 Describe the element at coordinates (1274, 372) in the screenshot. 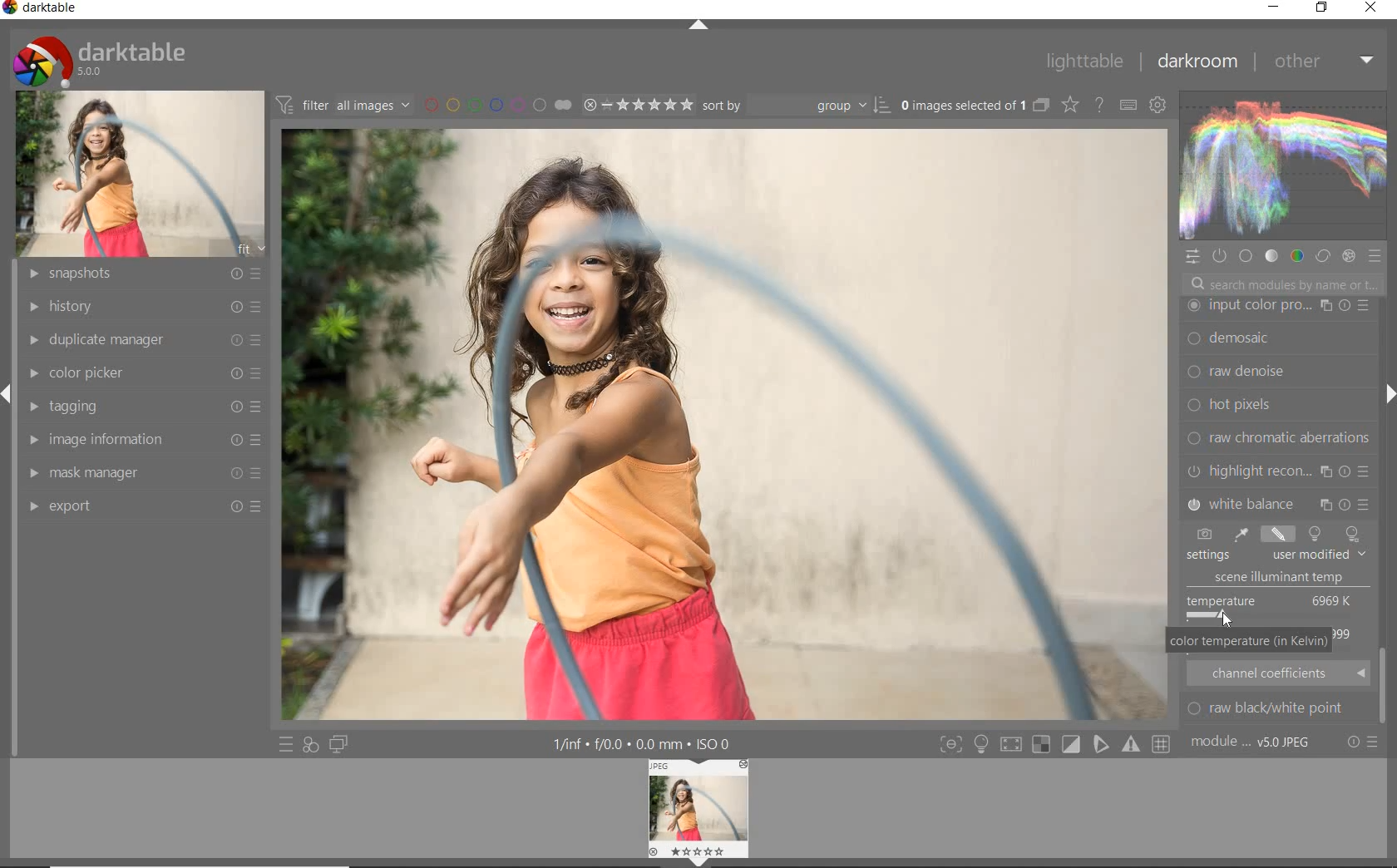

I see `dither or paste` at that location.